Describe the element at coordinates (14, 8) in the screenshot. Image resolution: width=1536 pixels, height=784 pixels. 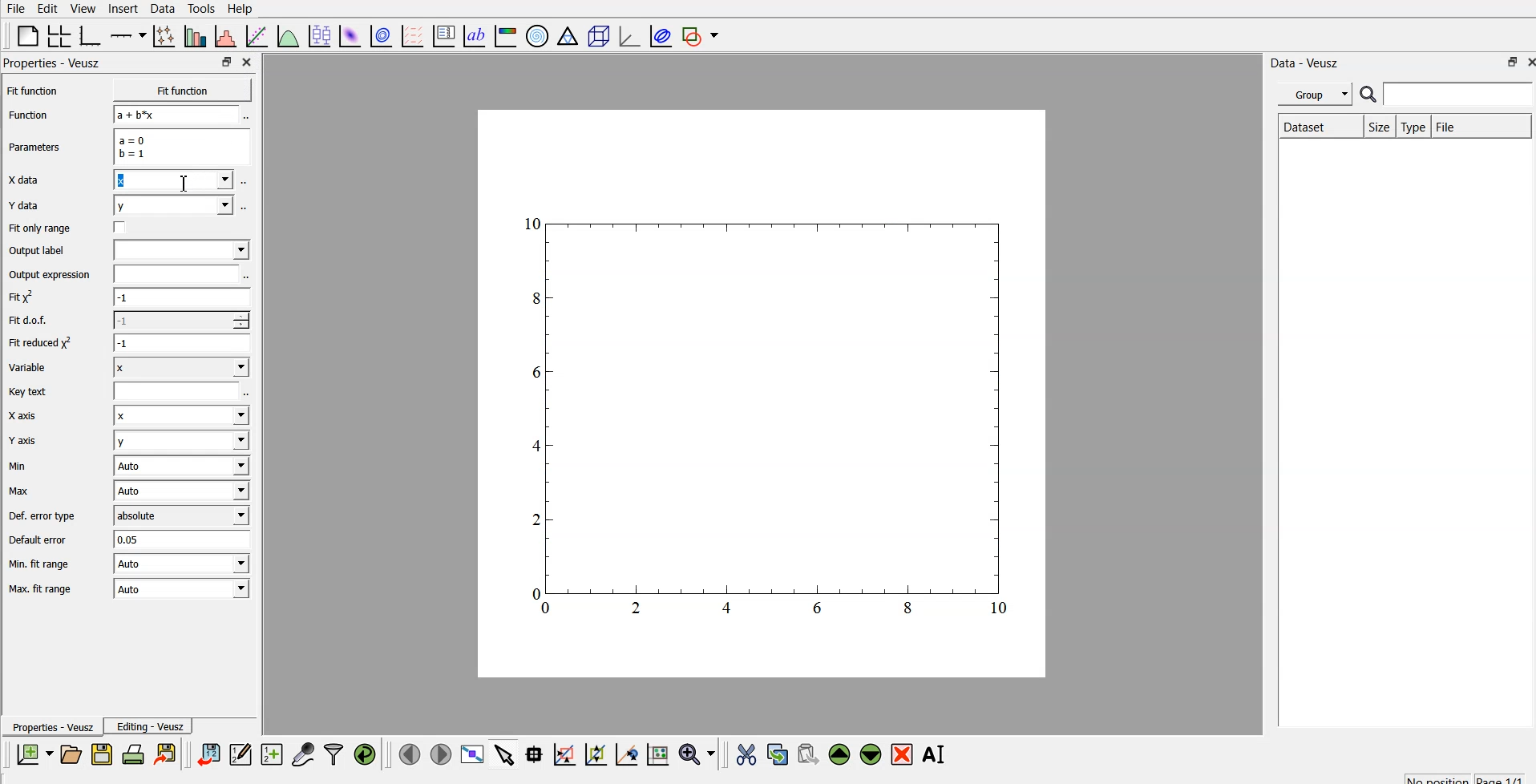
I see `file` at that location.